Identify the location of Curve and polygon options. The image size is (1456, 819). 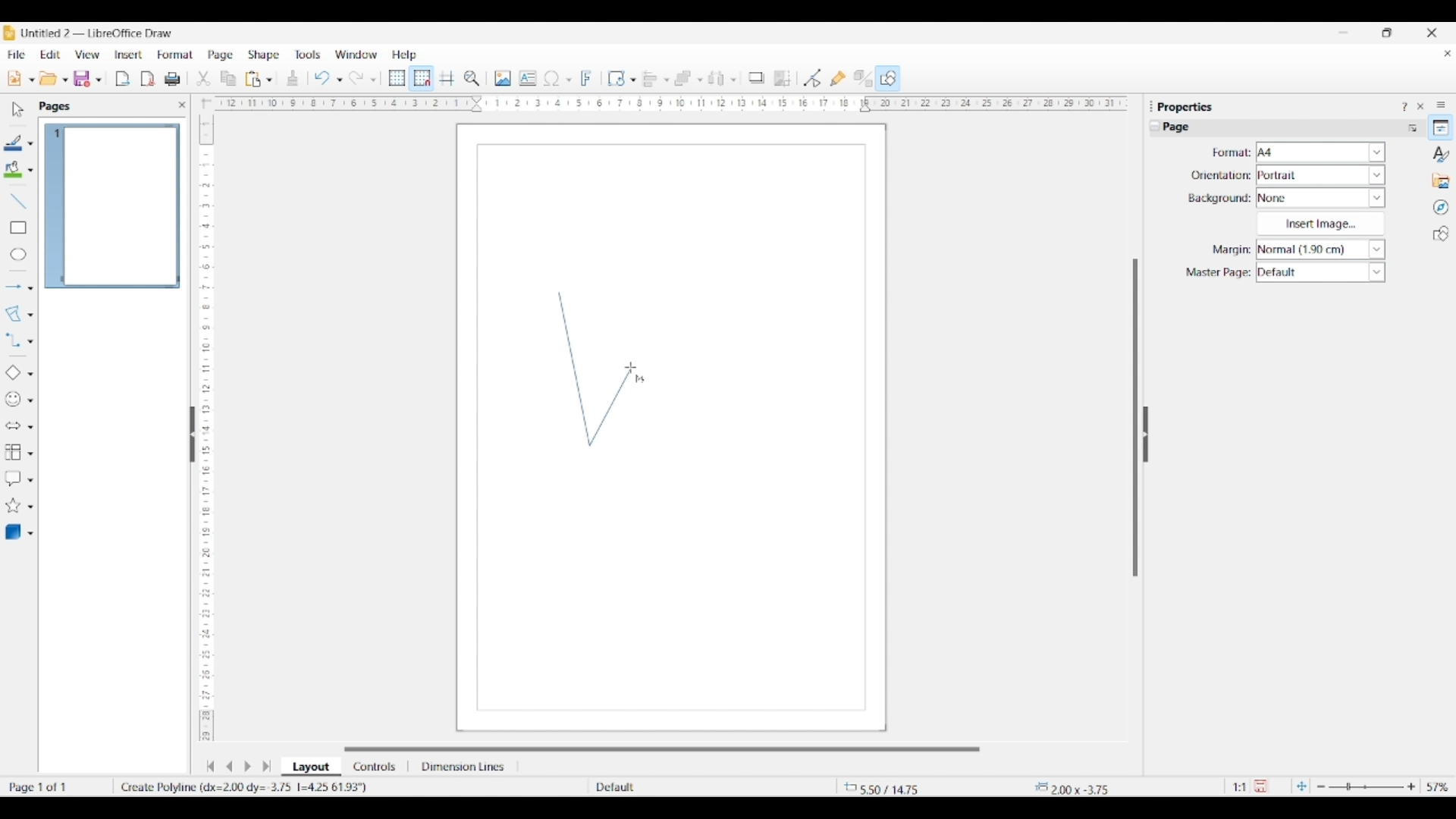
(30, 315).